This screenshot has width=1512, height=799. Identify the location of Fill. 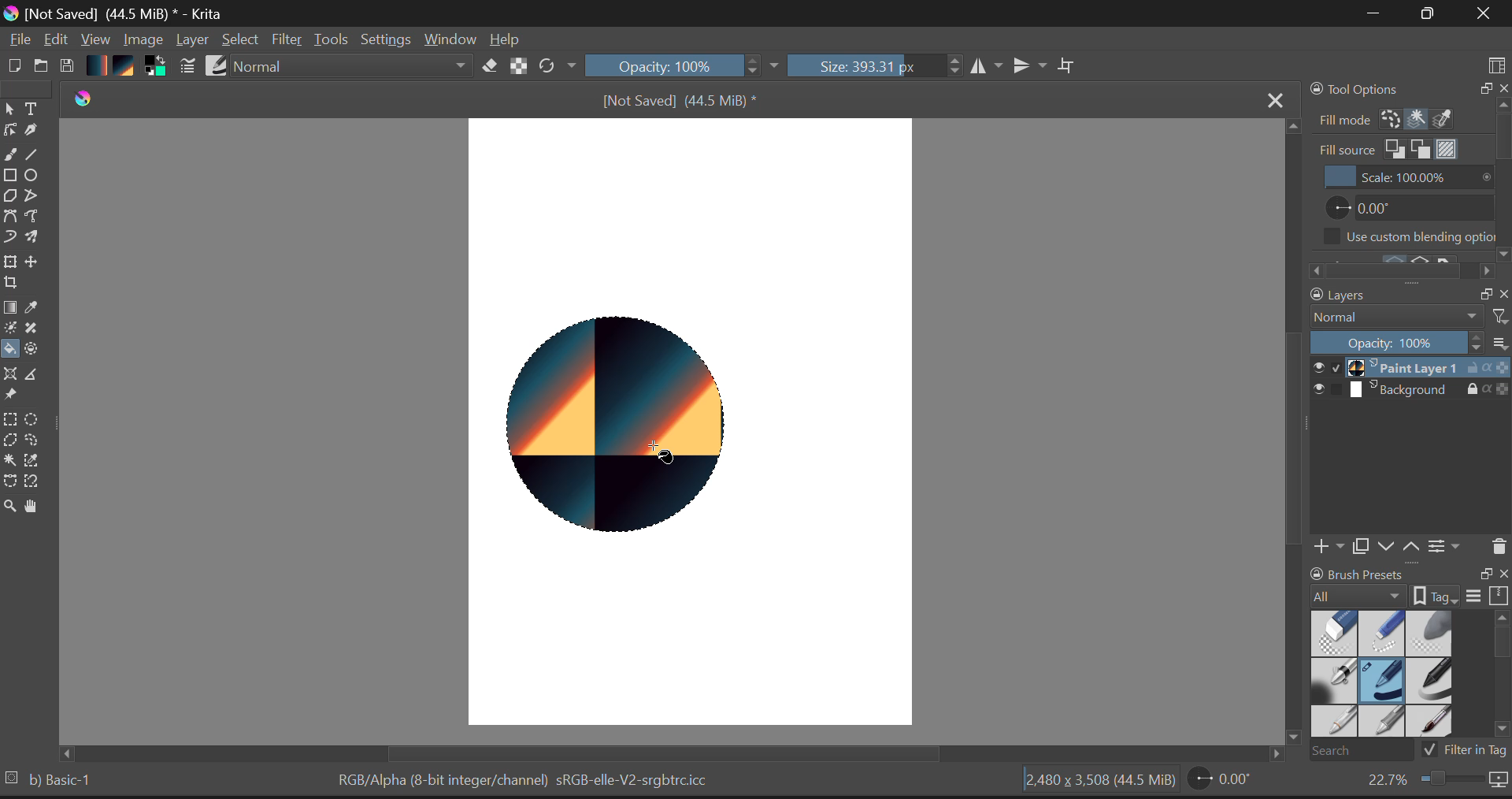
(11, 349).